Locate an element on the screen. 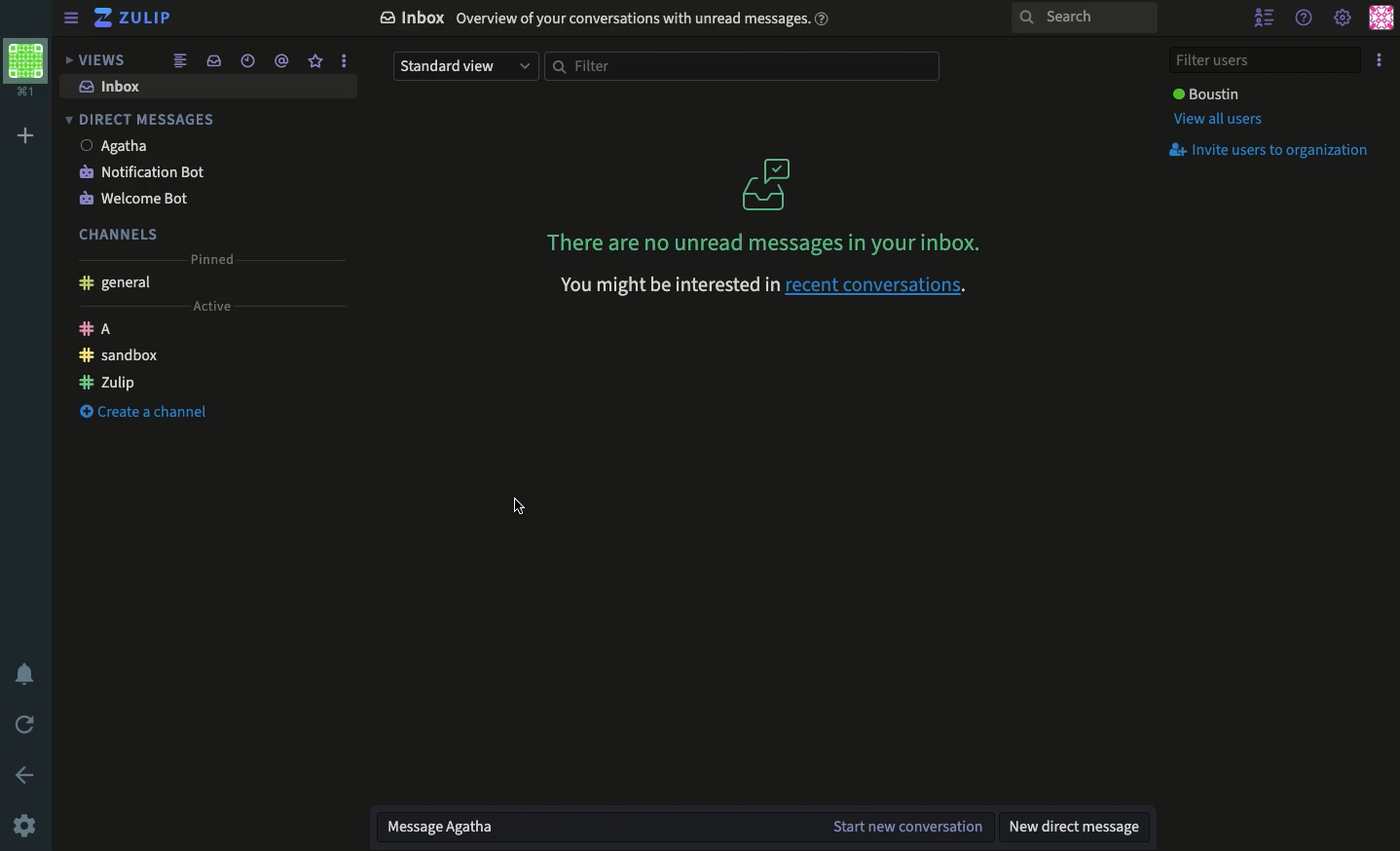 This screenshot has width=1400, height=851. Options is located at coordinates (1381, 59).